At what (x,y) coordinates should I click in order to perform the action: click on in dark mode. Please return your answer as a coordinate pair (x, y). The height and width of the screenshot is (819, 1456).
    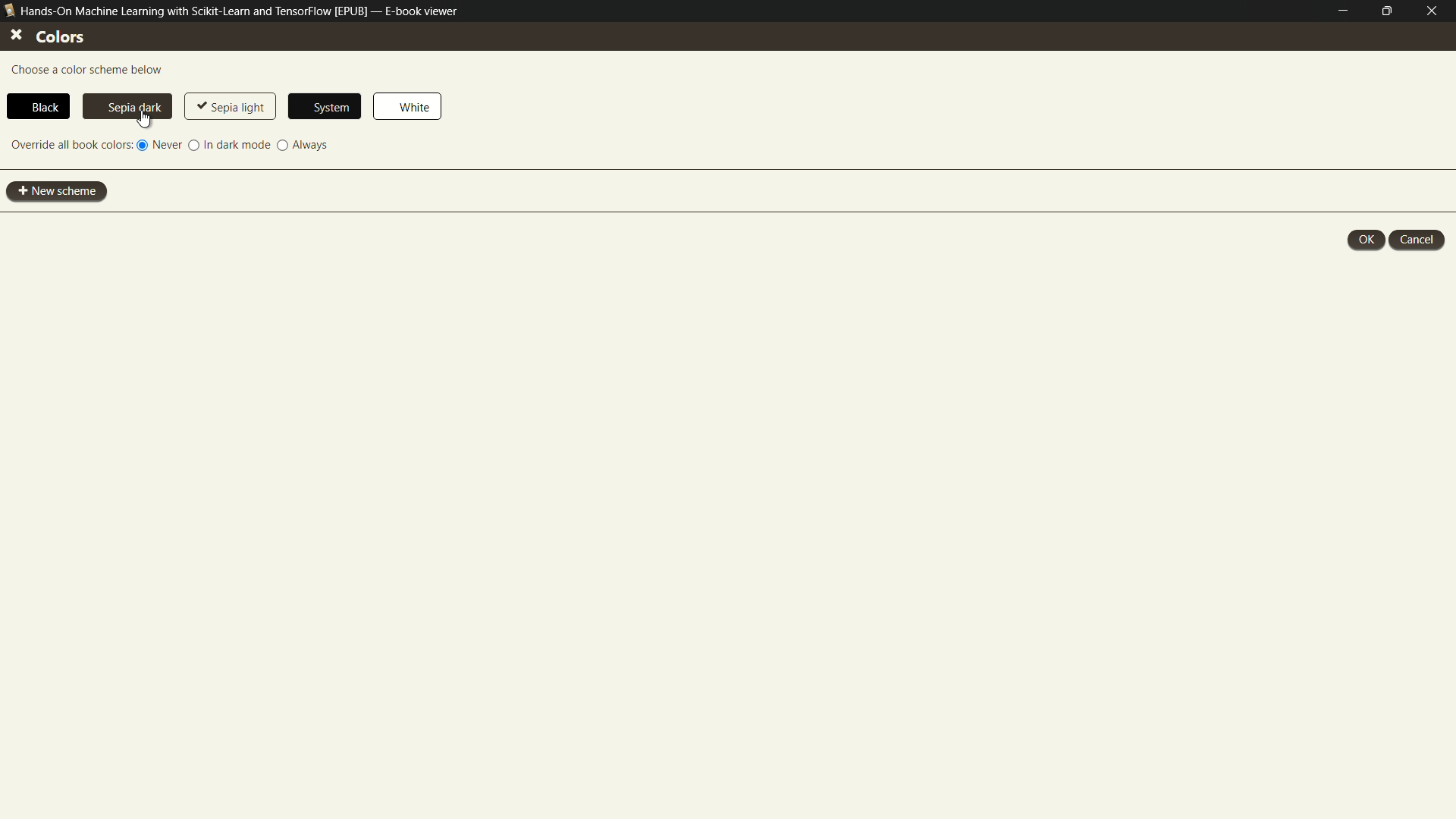
    Looking at the image, I should click on (230, 146).